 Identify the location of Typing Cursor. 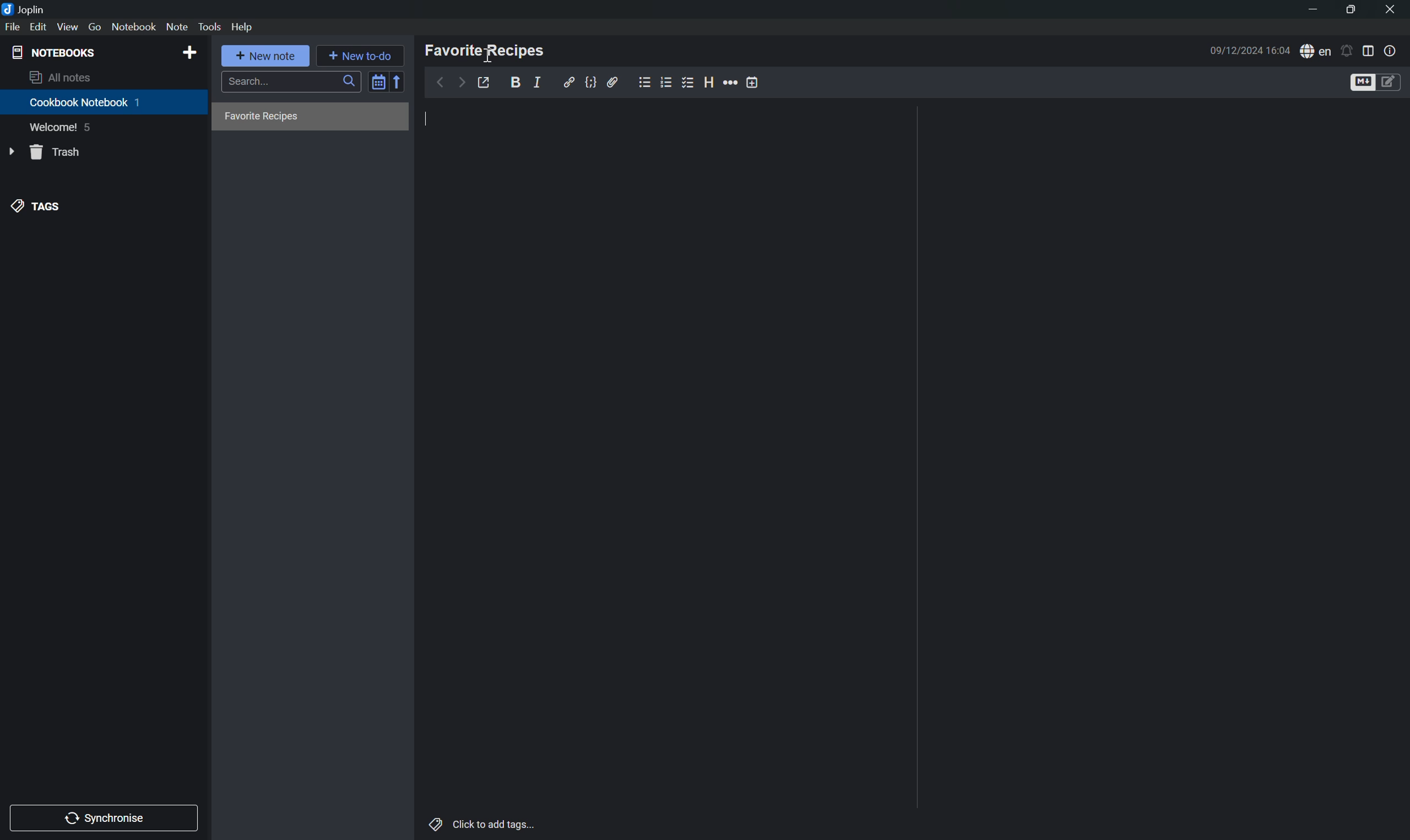
(428, 119).